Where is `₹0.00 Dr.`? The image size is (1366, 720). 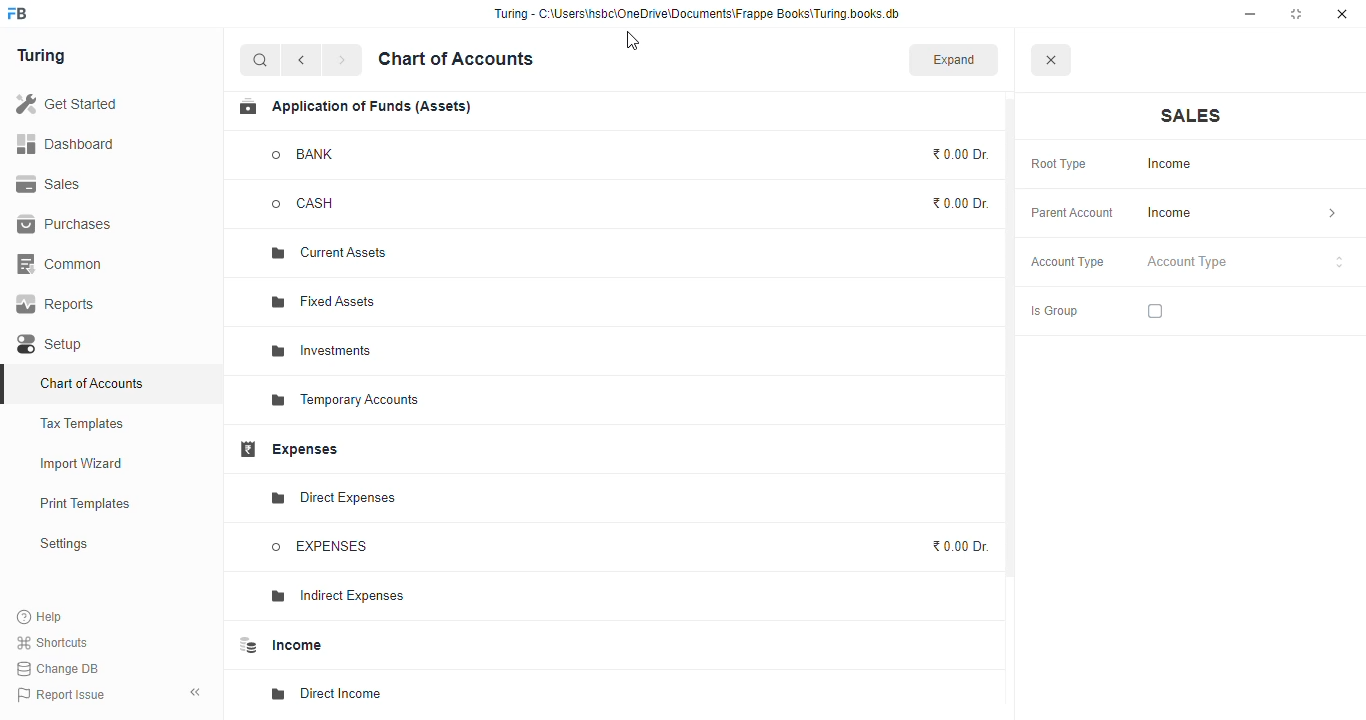 ₹0.00 Dr. is located at coordinates (962, 203).